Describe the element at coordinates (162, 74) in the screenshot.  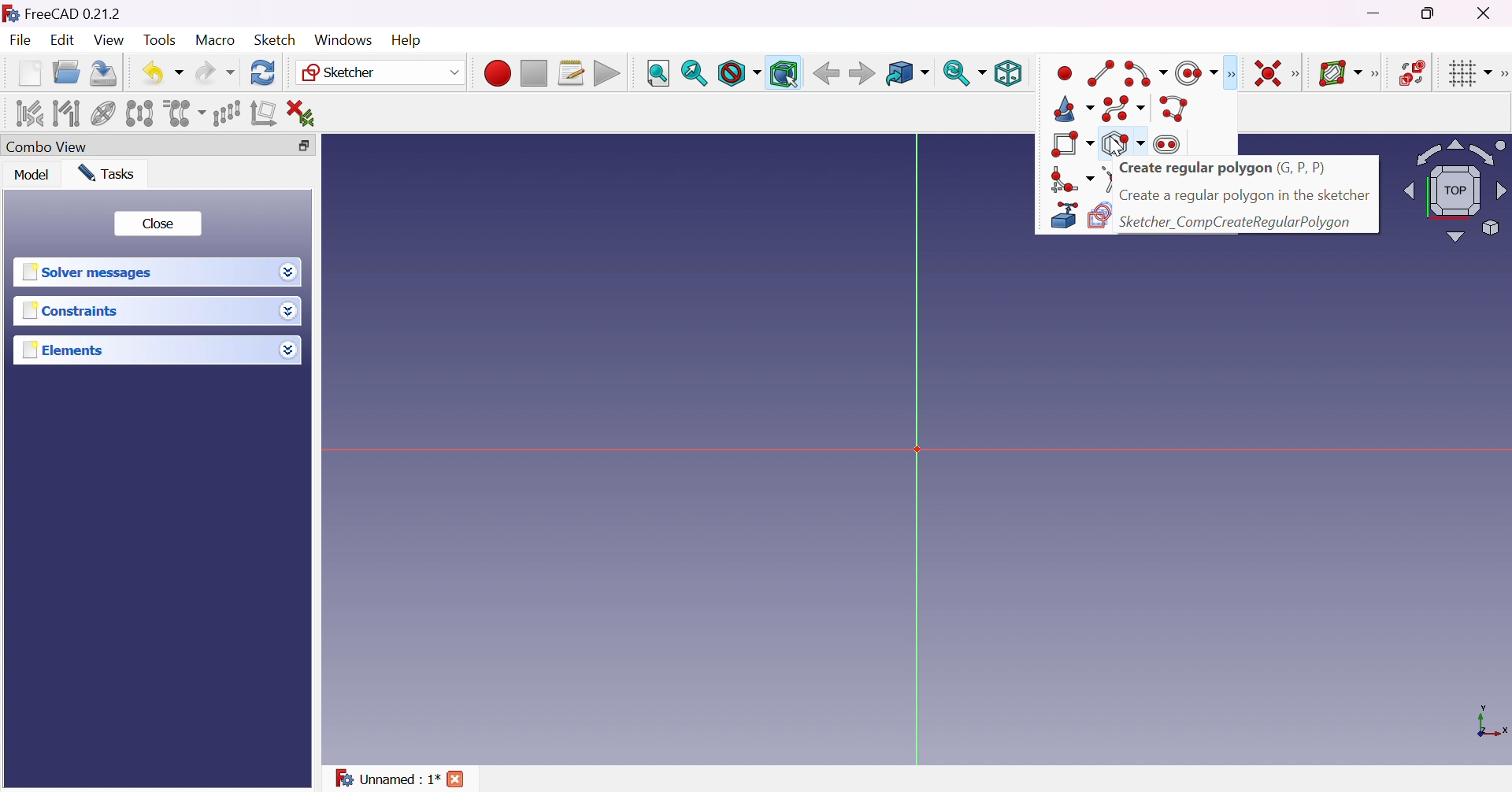
I see `Undo` at that location.